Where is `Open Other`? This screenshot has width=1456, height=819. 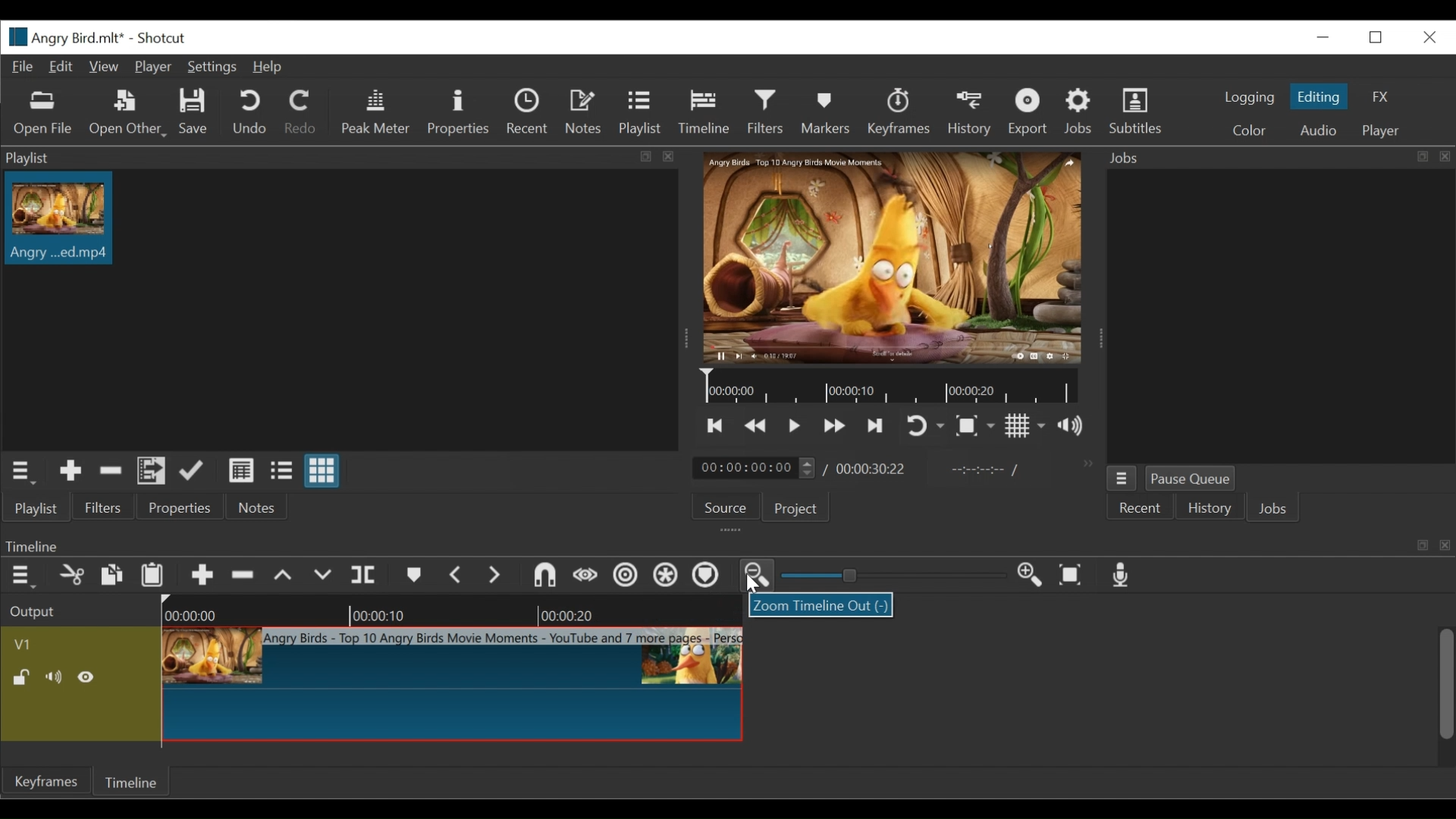
Open Other is located at coordinates (128, 115).